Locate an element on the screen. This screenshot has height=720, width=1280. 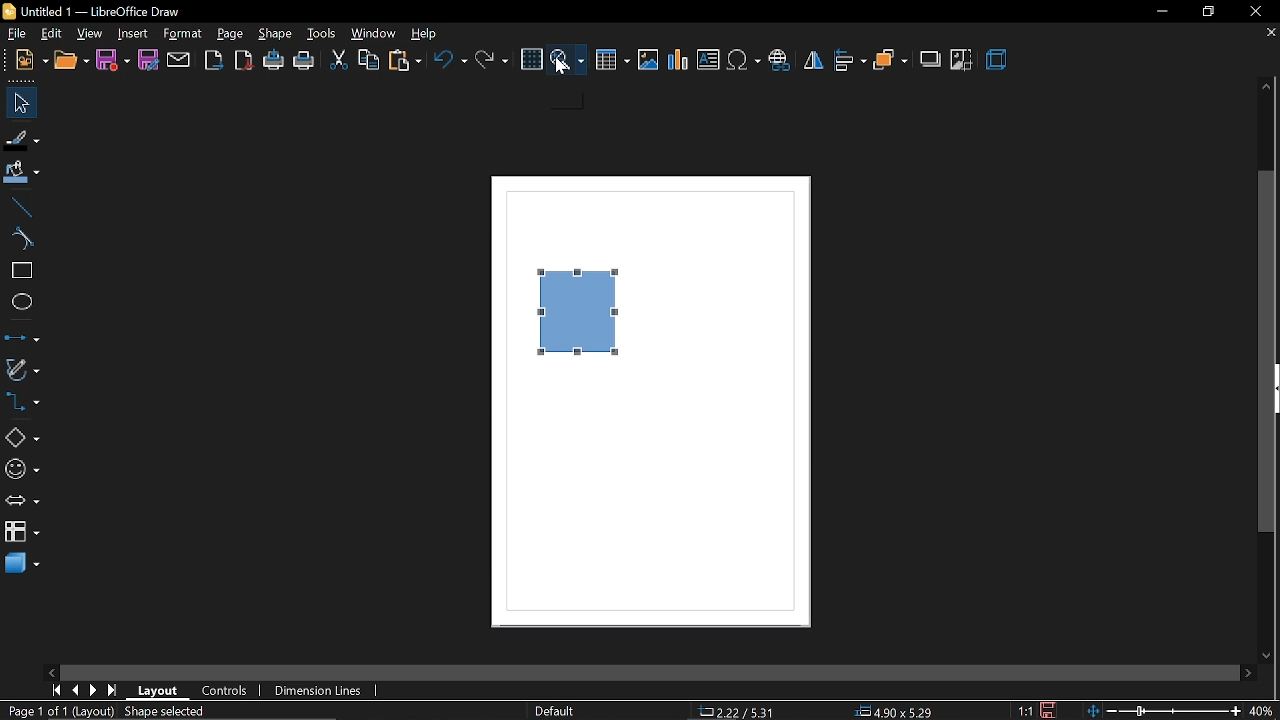
shape selected is located at coordinates (168, 711).